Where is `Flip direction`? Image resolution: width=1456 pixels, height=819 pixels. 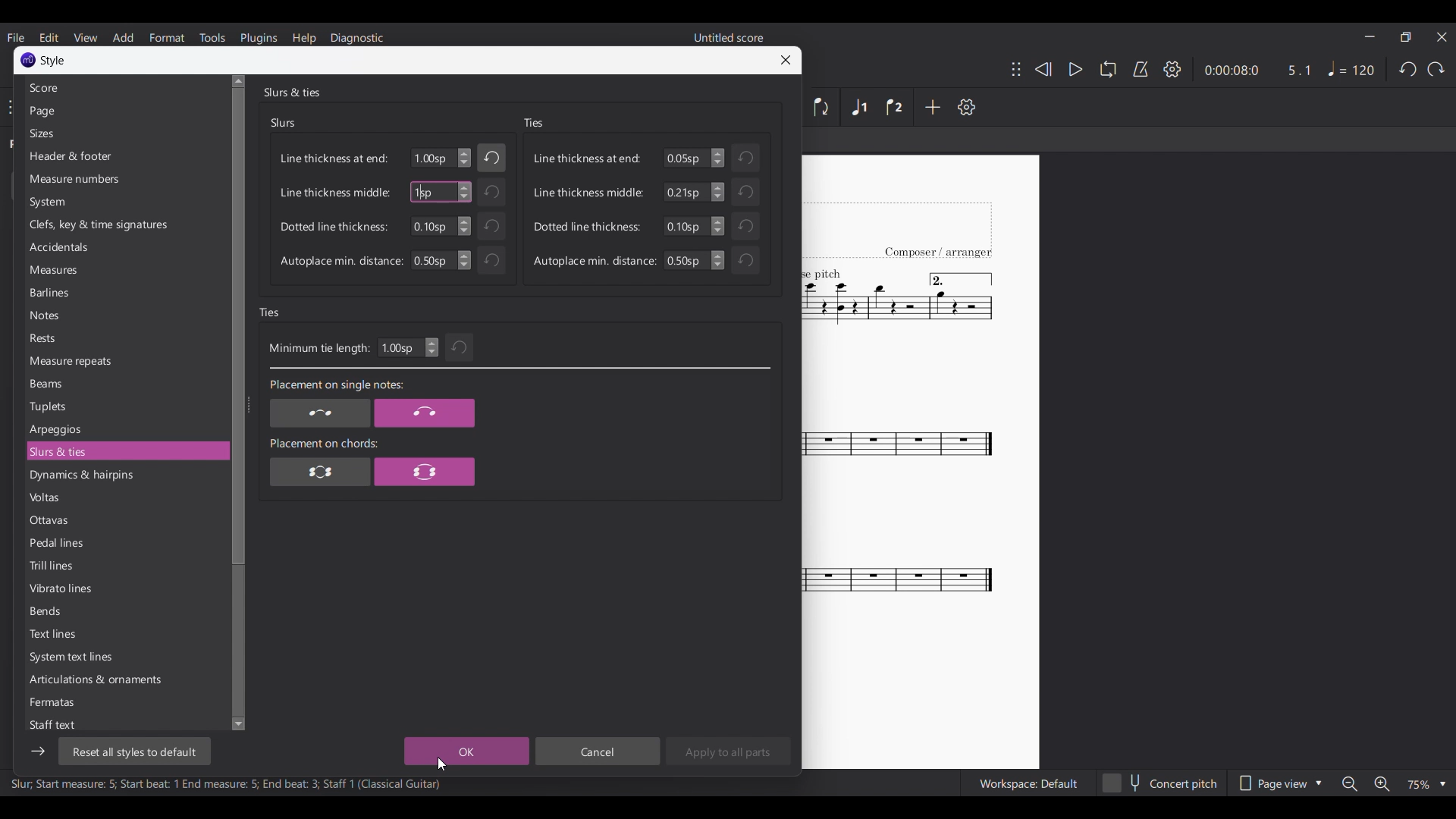 Flip direction is located at coordinates (822, 107).